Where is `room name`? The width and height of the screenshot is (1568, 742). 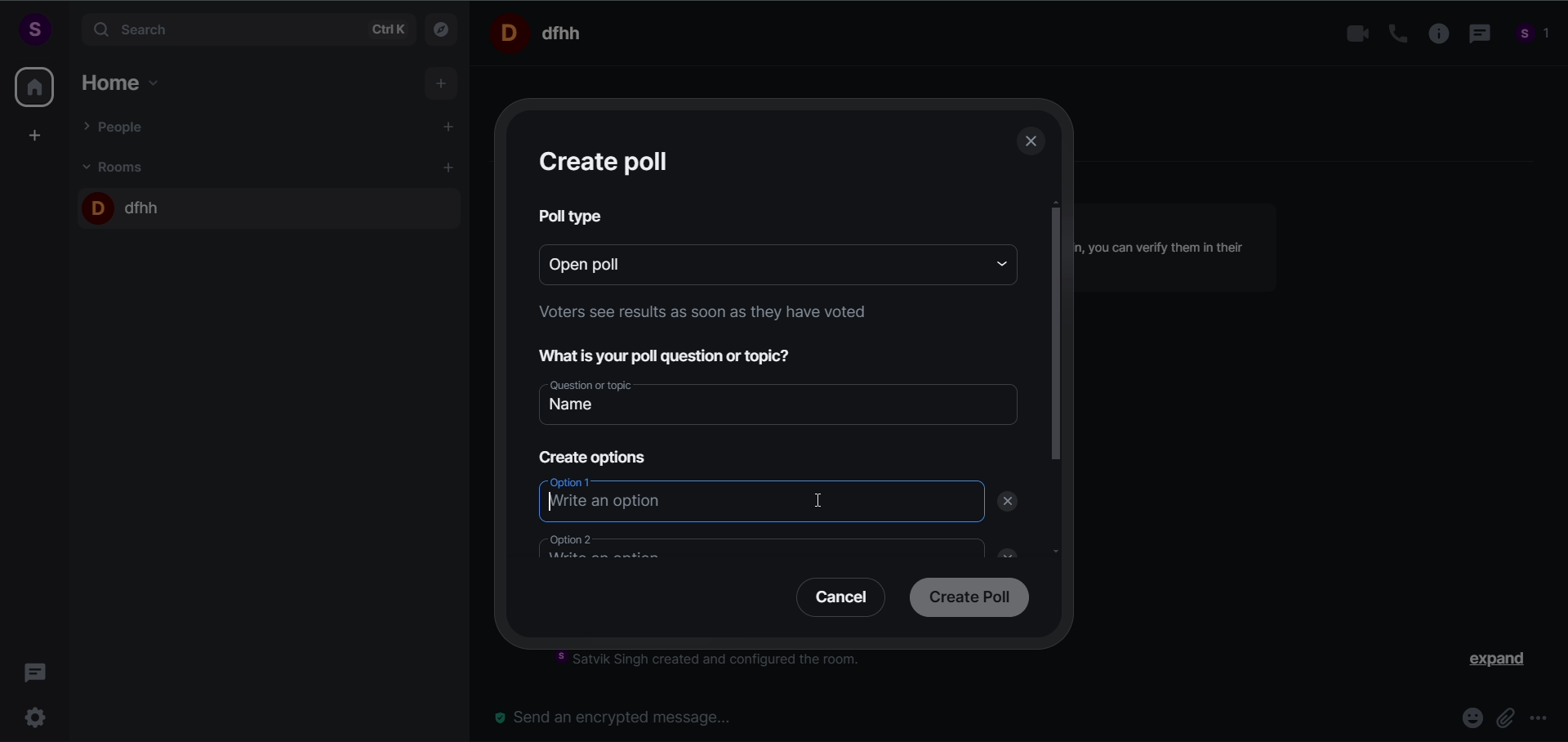 room name is located at coordinates (542, 32).